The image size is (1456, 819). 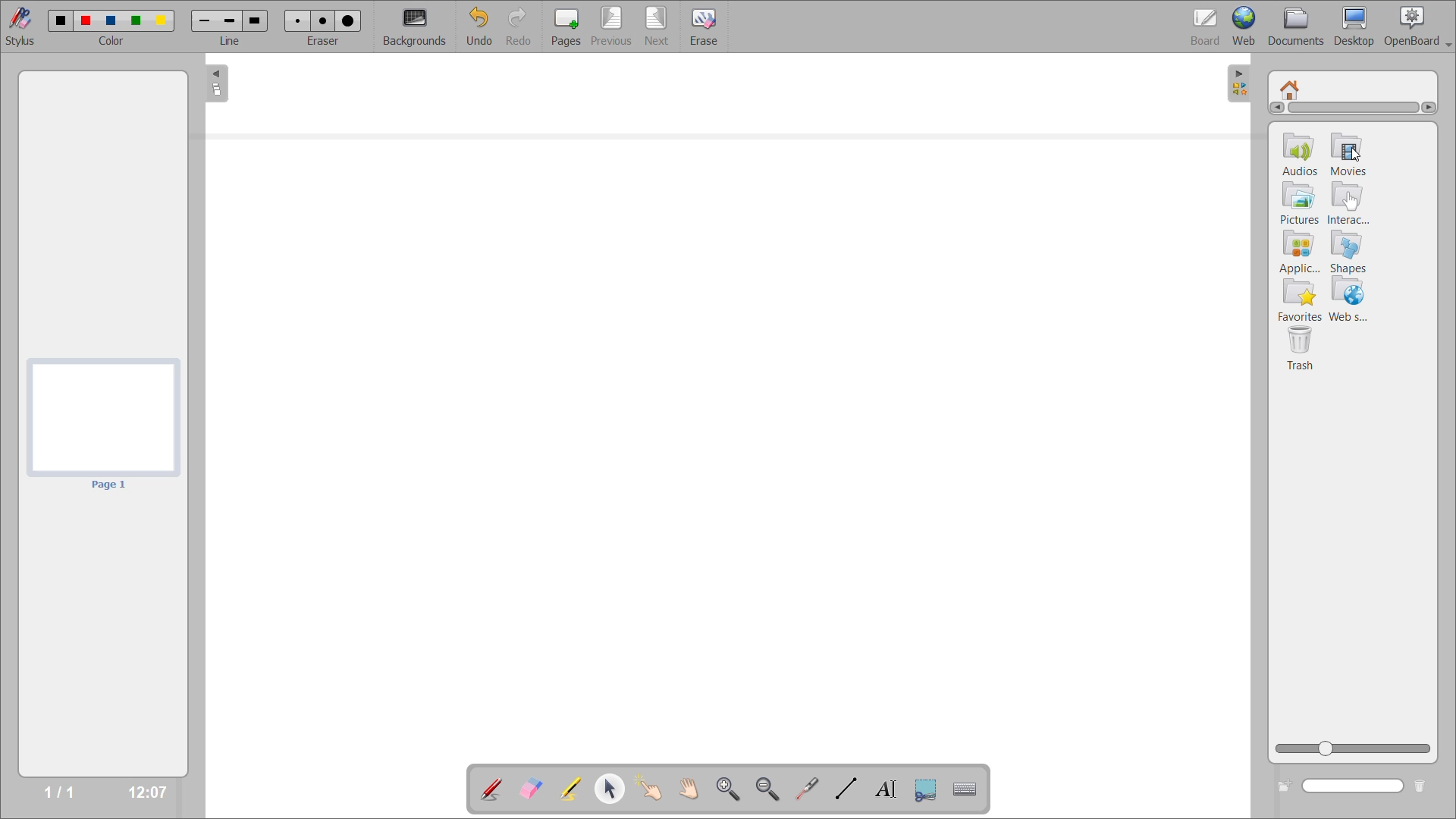 I want to click on write text, so click(x=886, y=790).